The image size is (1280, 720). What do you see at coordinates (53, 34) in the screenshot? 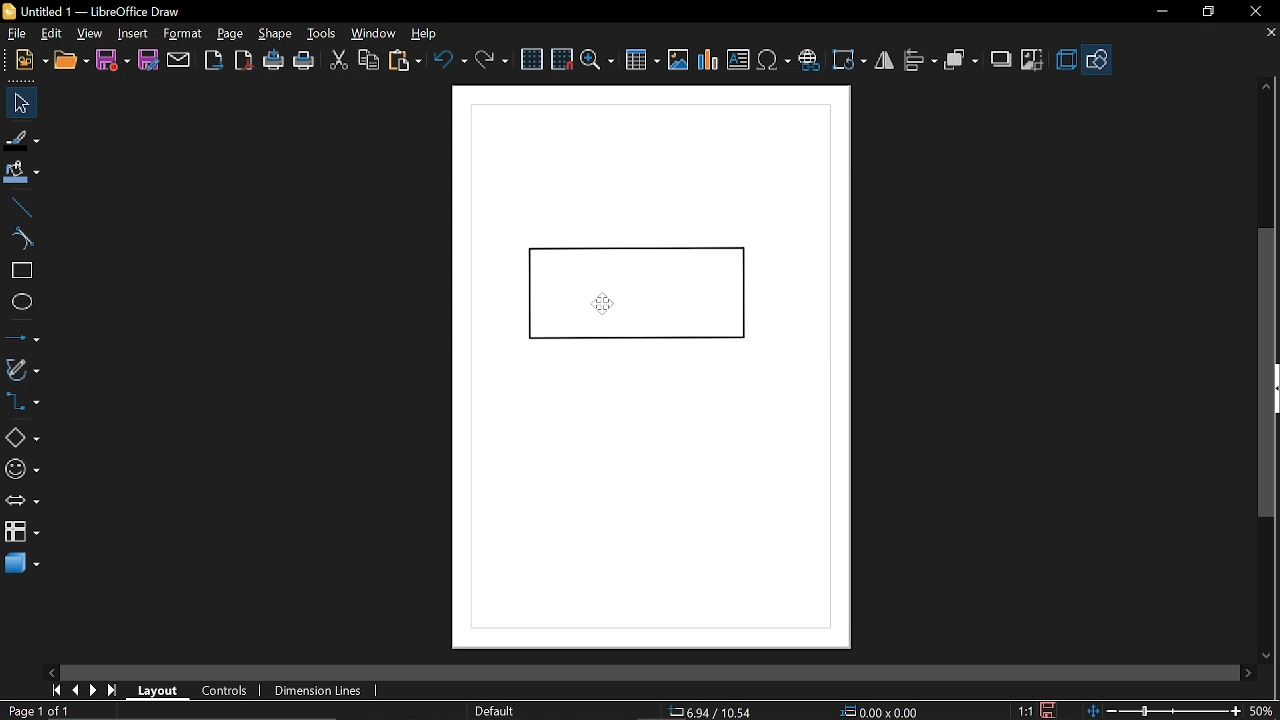
I see `edit` at bounding box center [53, 34].